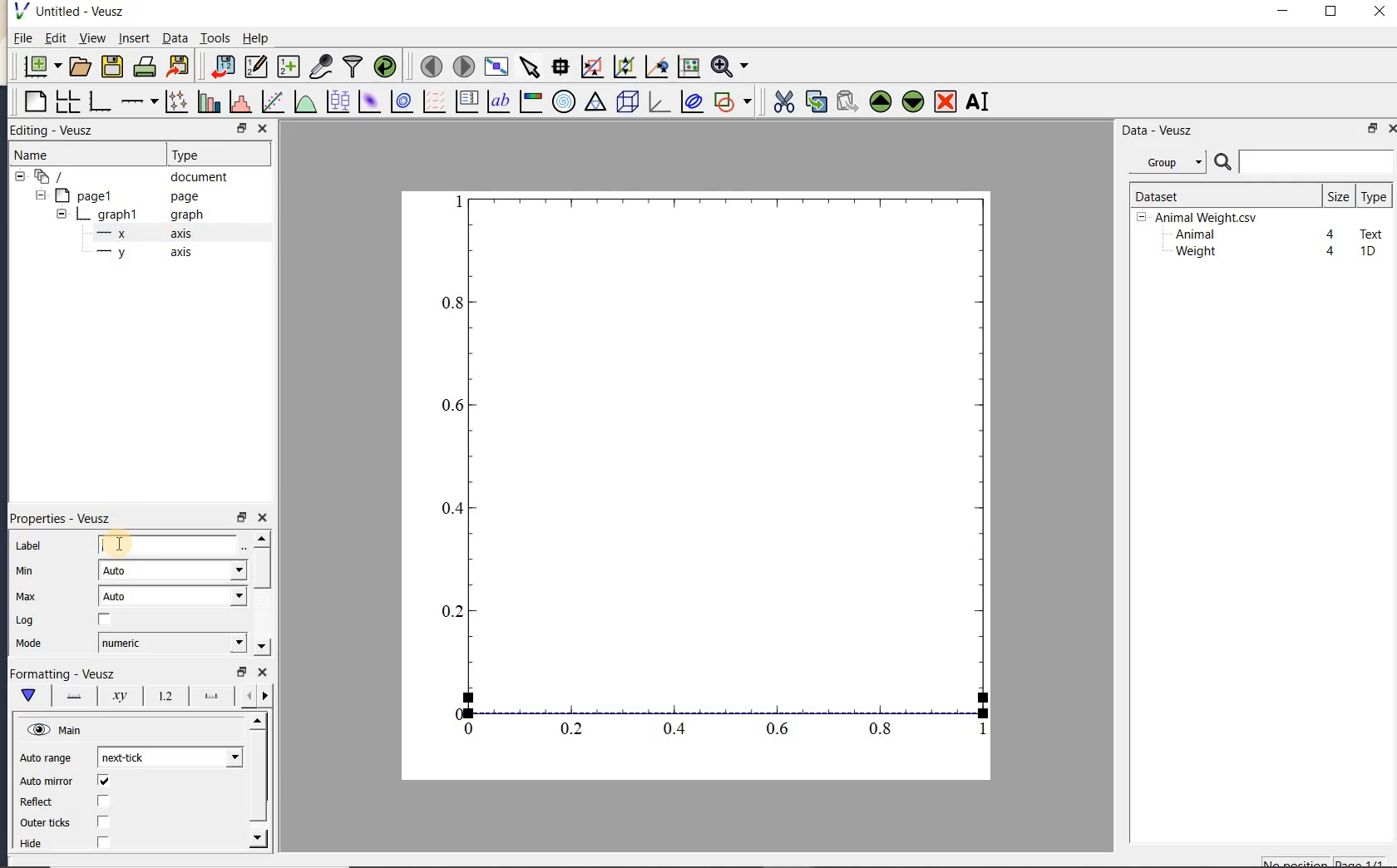 The image size is (1397, 868). I want to click on major ticks, so click(208, 695).